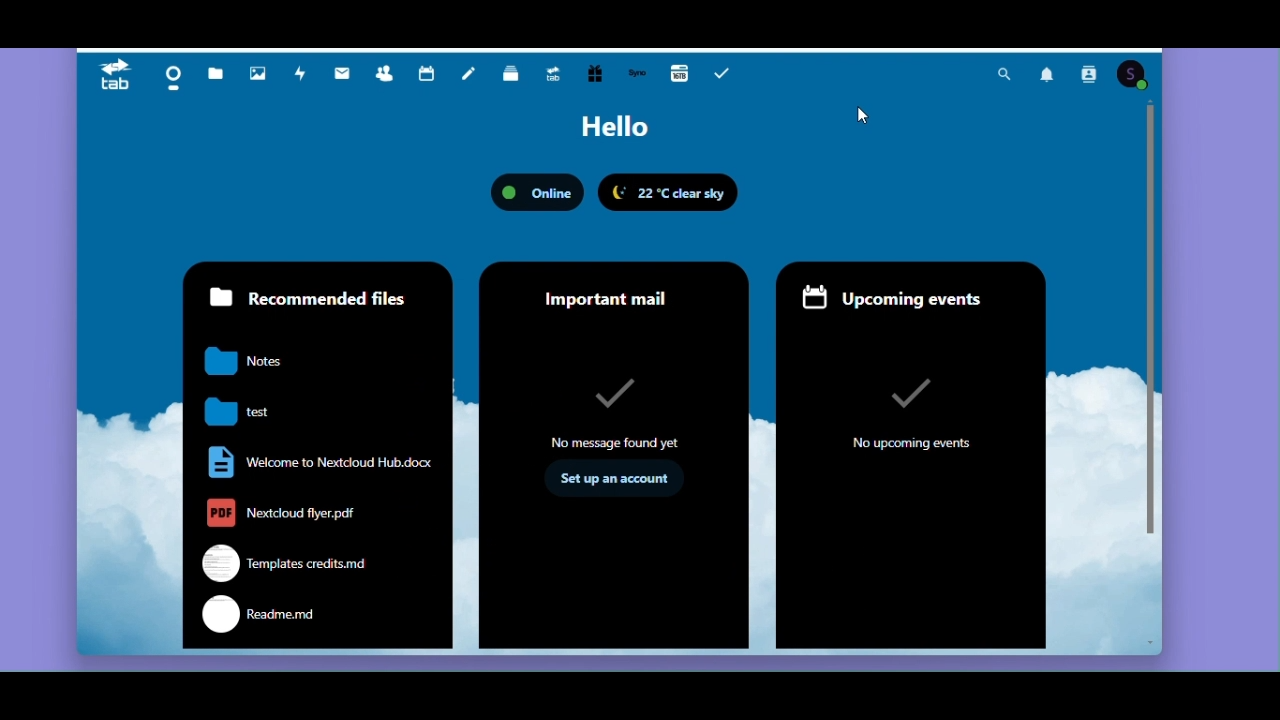 This screenshot has width=1280, height=720. I want to click on Task, so click(725, 73).